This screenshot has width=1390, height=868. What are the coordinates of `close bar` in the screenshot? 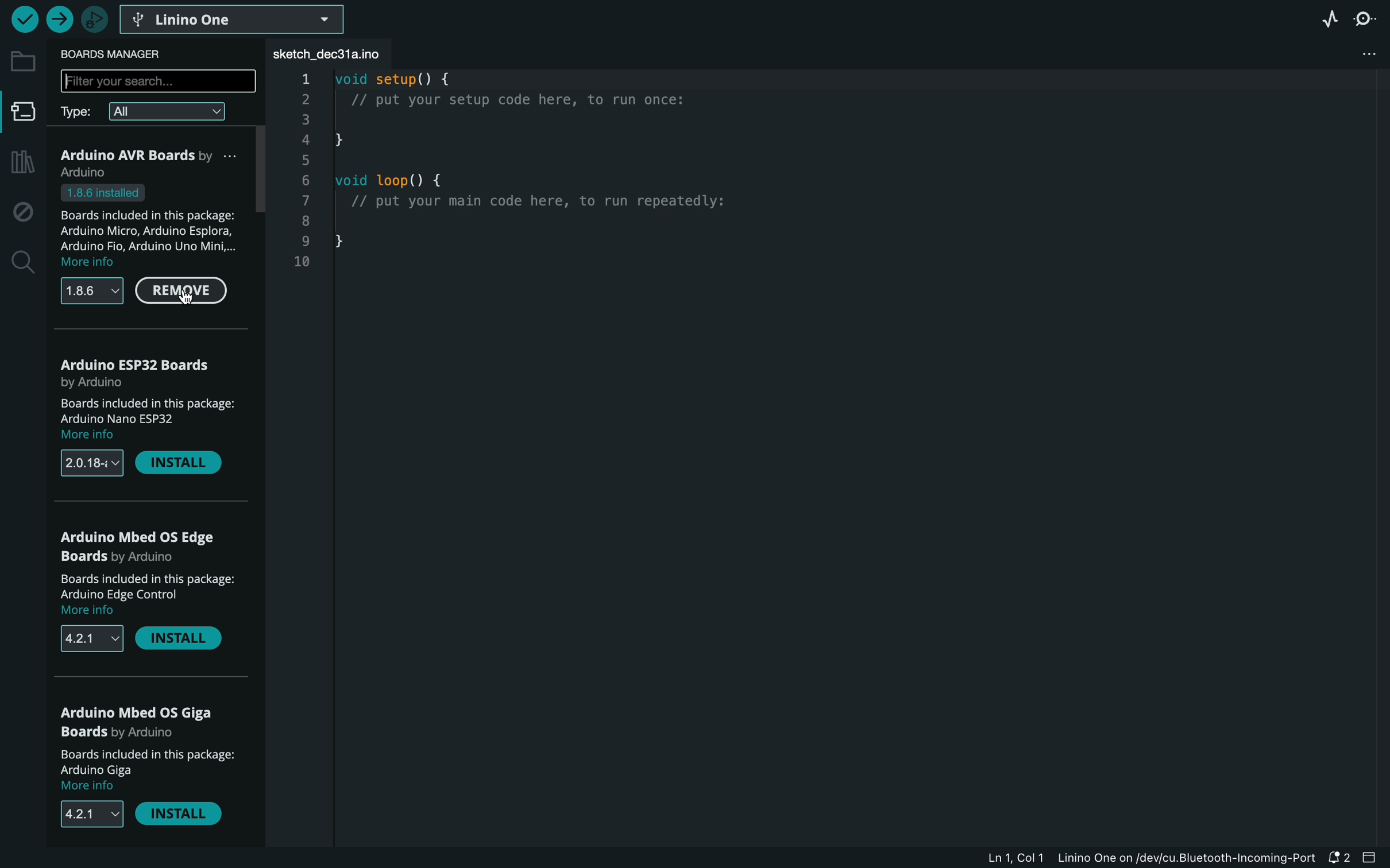 It's located at (1374, 858).